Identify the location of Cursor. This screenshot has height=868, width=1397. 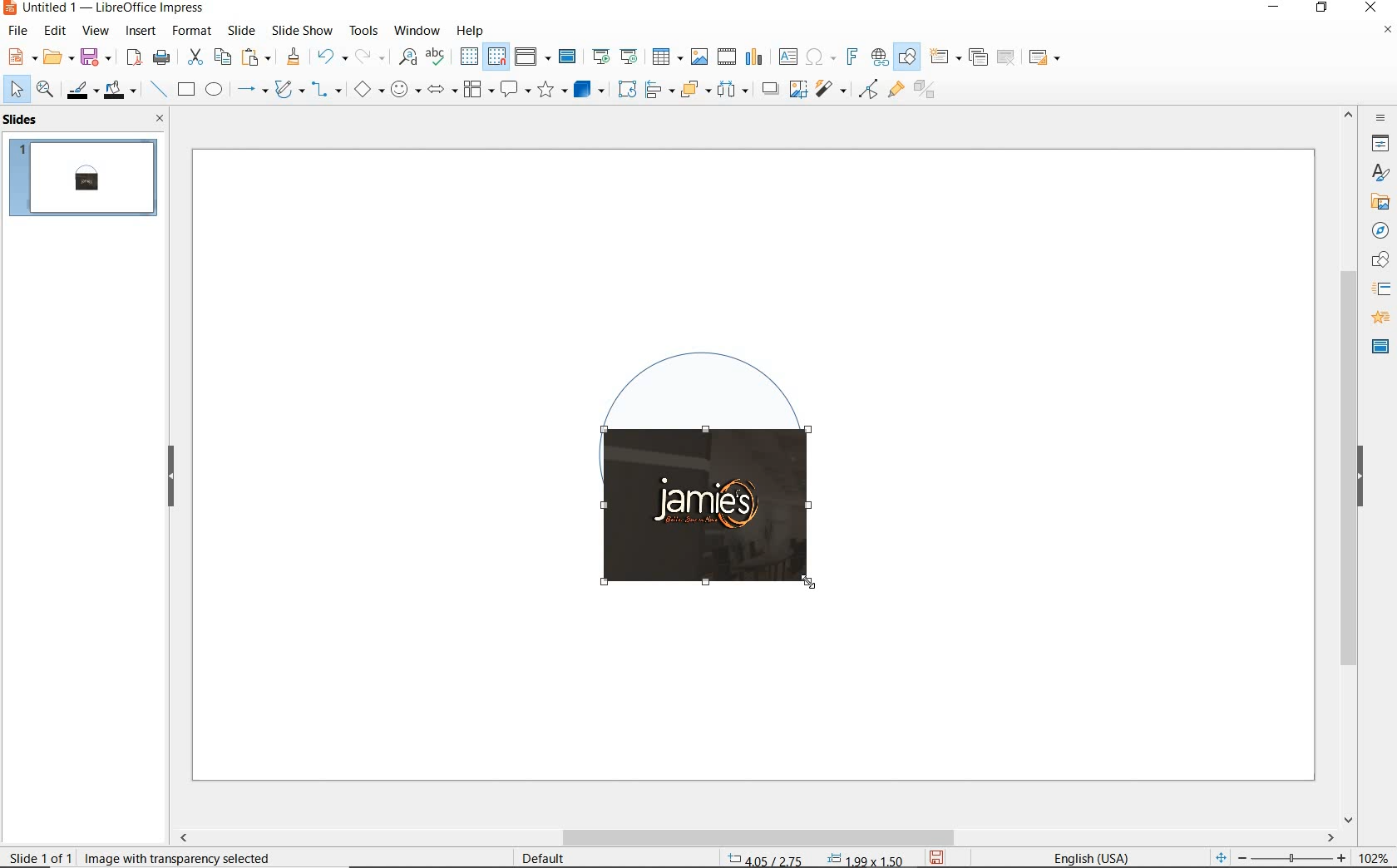
(809, 582).